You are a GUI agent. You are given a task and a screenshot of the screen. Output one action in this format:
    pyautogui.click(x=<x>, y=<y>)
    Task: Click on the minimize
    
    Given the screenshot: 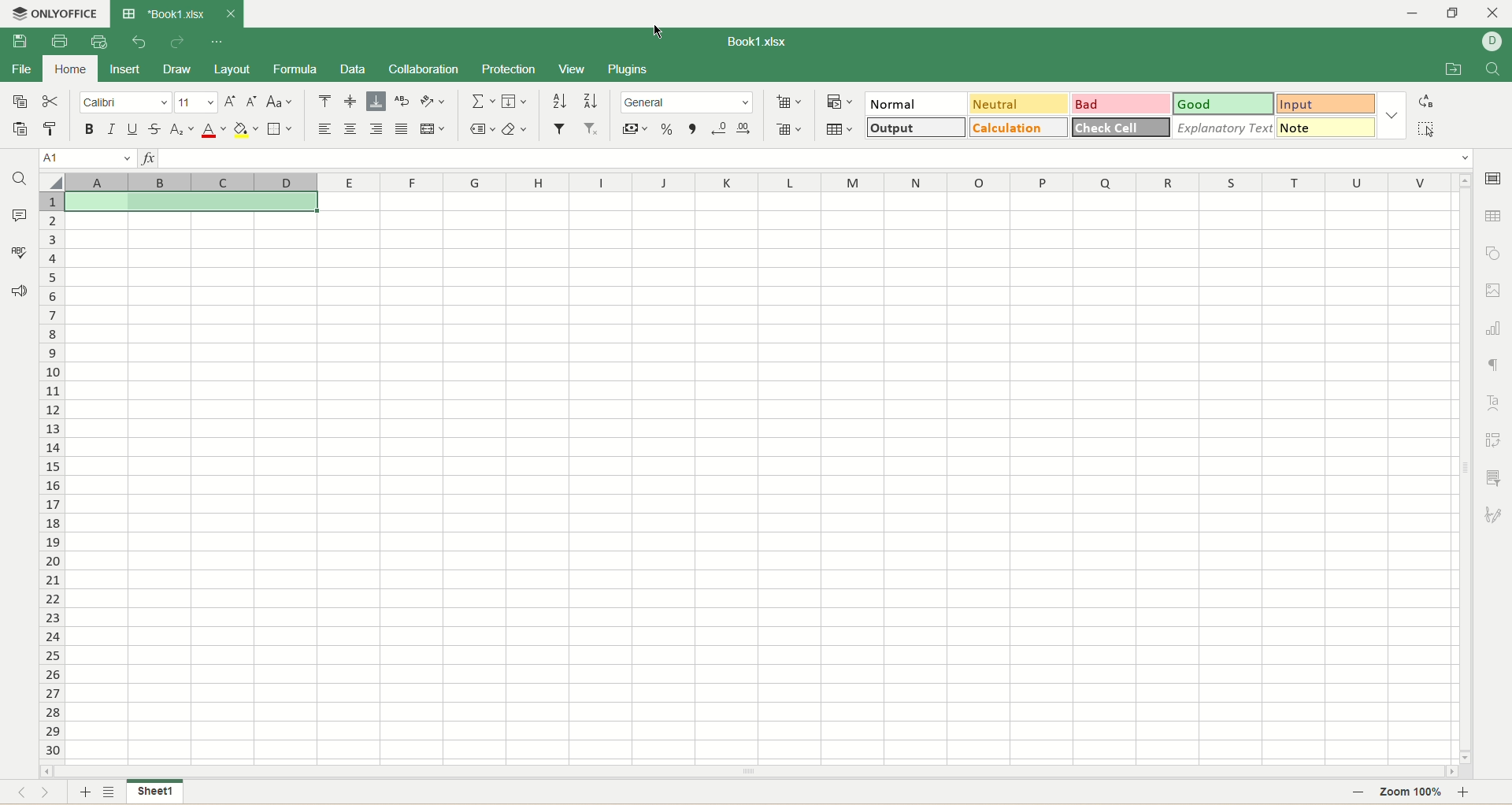 What is the action you would take?
    pyautogui.click(x=1411, y=13)
    